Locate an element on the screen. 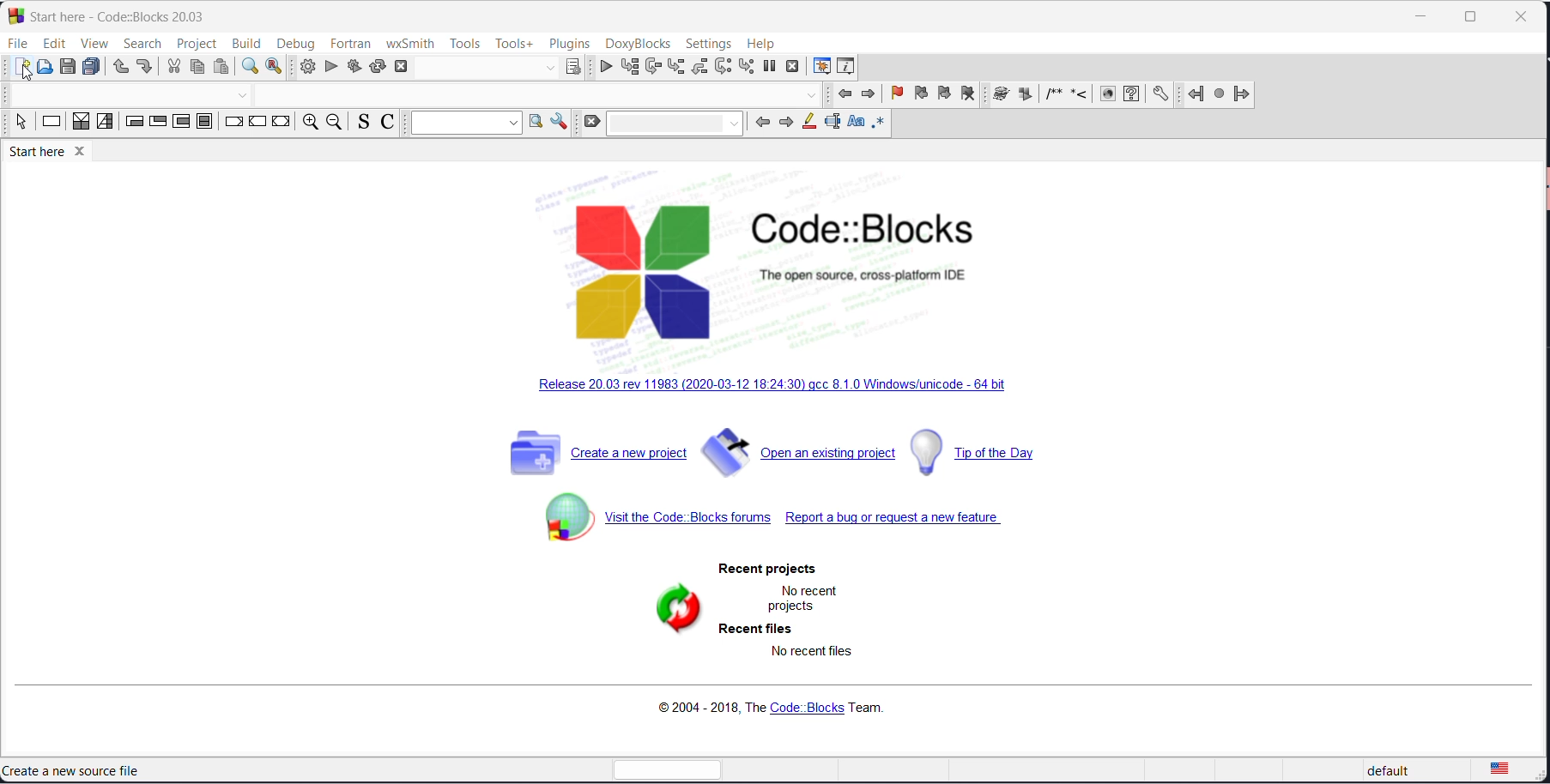 The width and height of the screenshot is (1550, 784). step into instruction is located at coordinates (748, 67).